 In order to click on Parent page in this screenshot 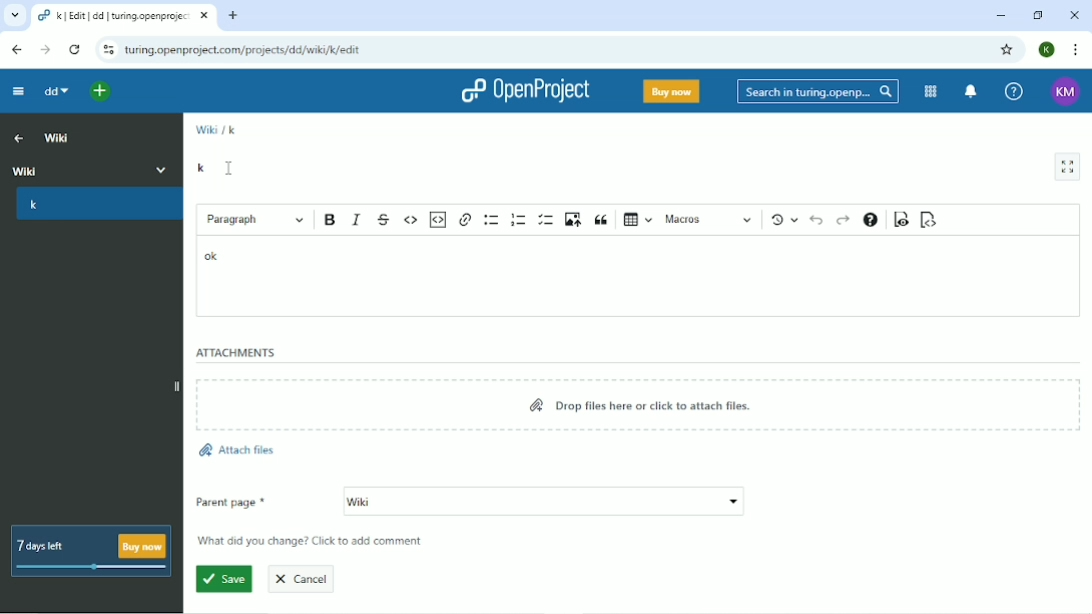, I will do `click(233, 502)`.